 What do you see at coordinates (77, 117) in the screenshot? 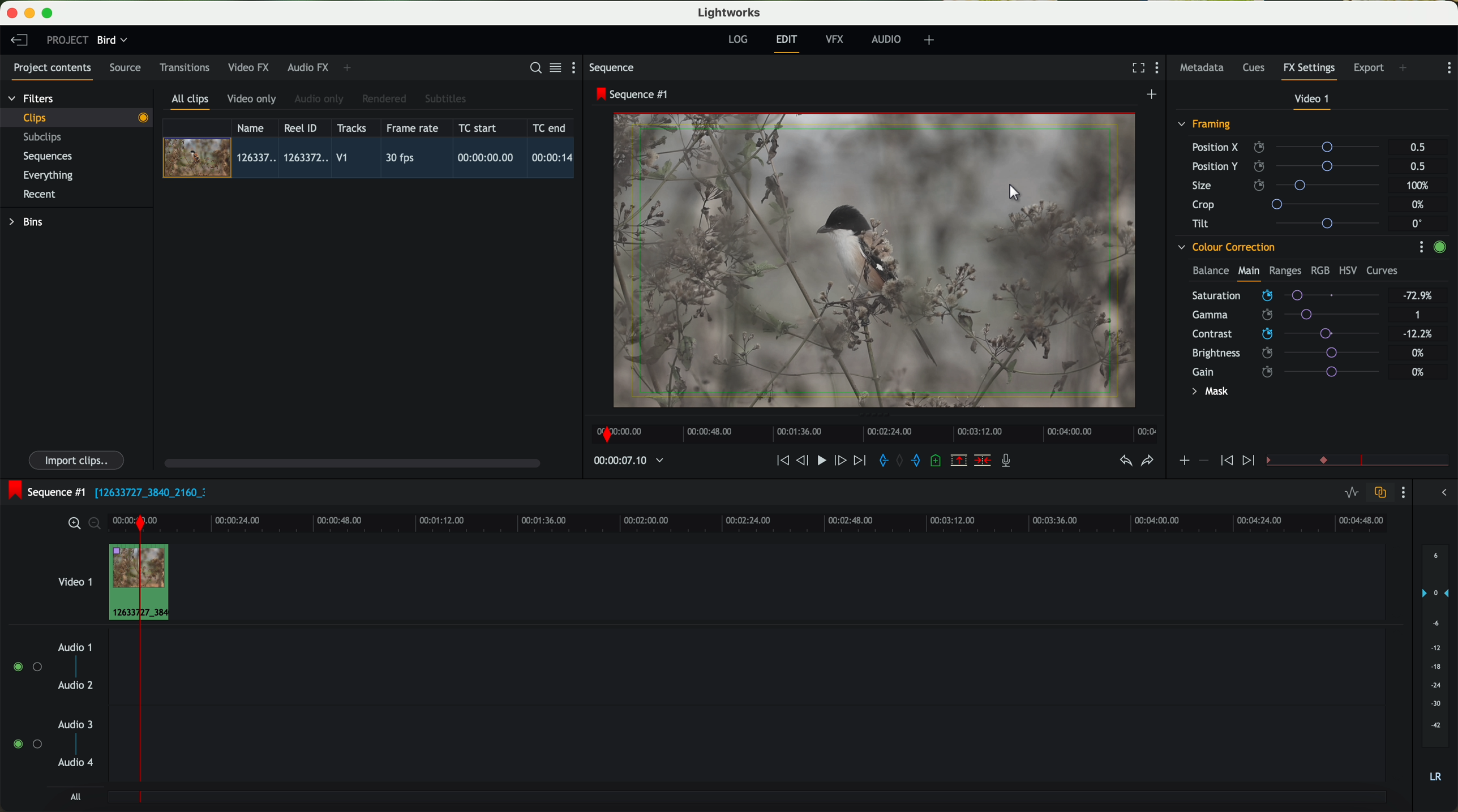
I see `clips` at bounding box center [77, 117].